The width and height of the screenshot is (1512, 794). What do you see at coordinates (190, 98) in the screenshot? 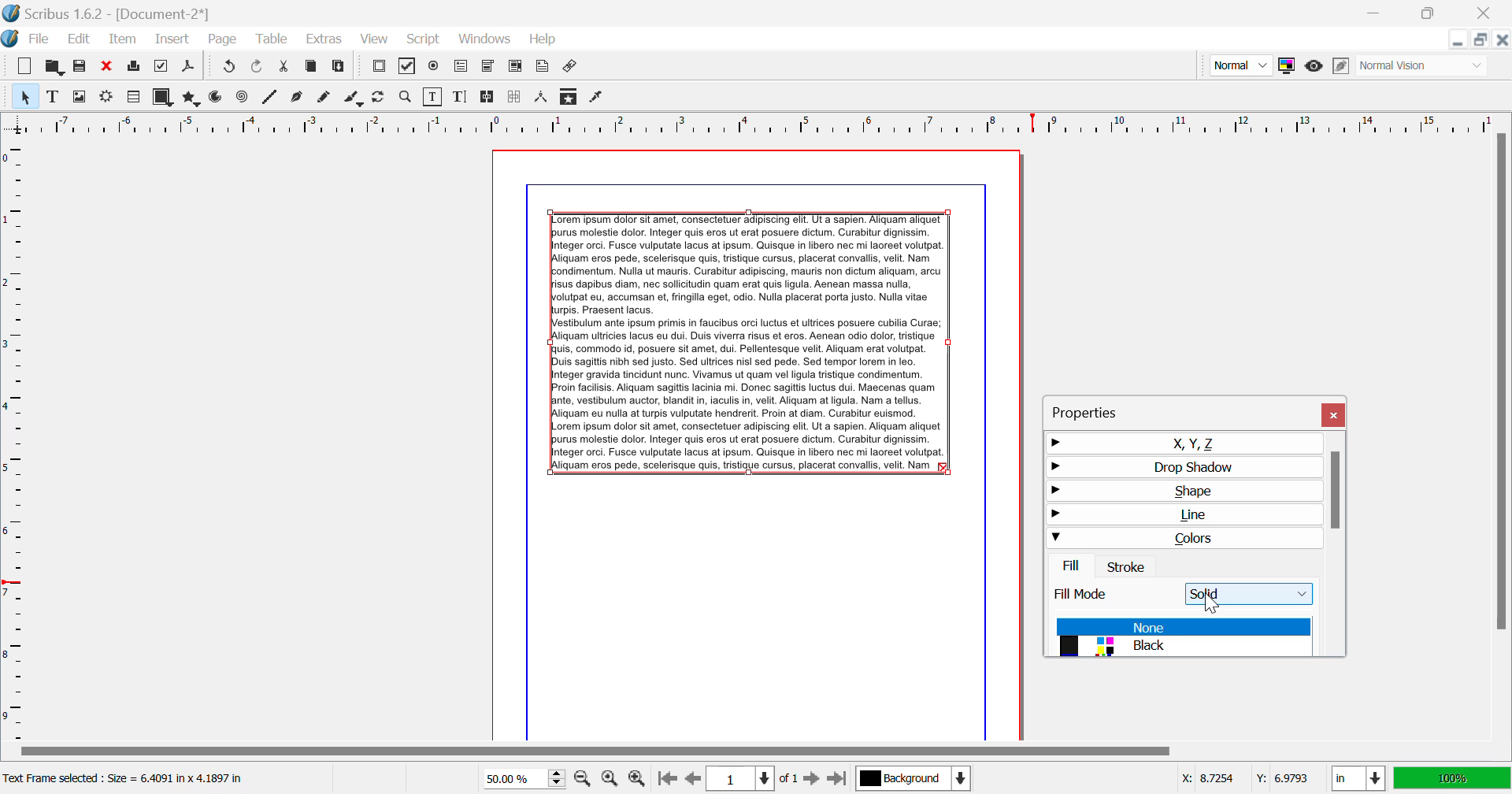
I see `Polygons` at bounding box center [190, 98].